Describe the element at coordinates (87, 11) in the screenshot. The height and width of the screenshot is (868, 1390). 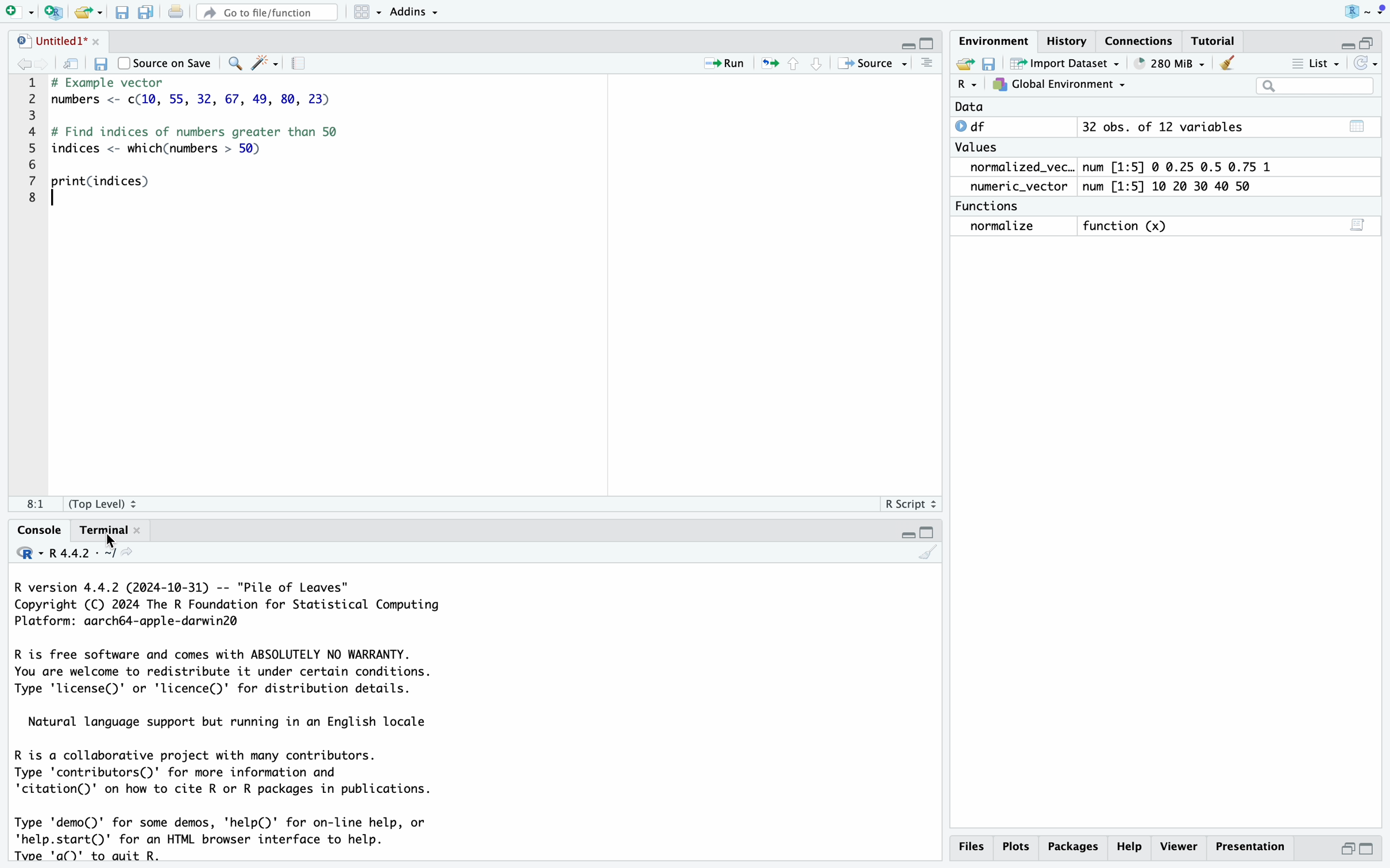
I see `open an existing file` at that location.